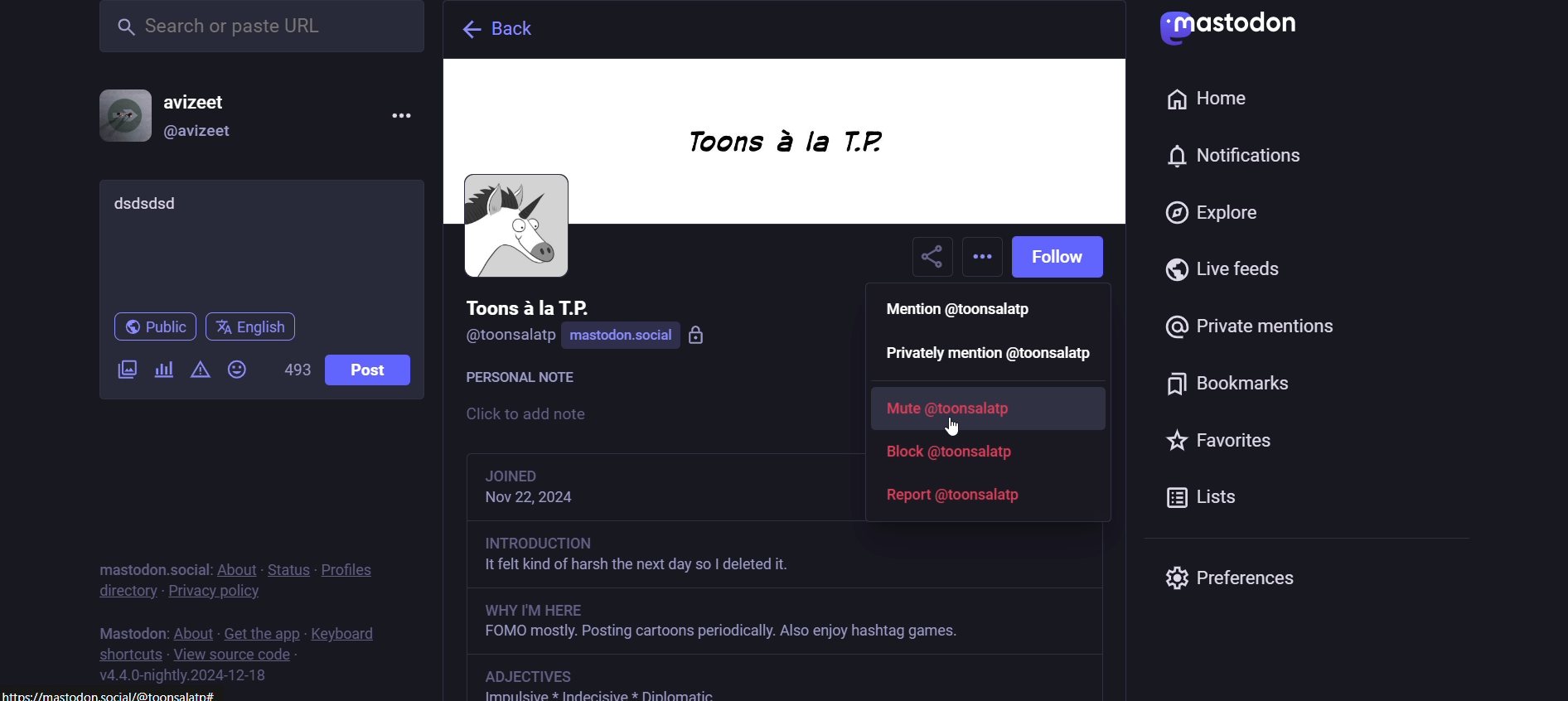 The width and height of the screenshot is (1568, 701). I want to click on home, so click(1204, 98).